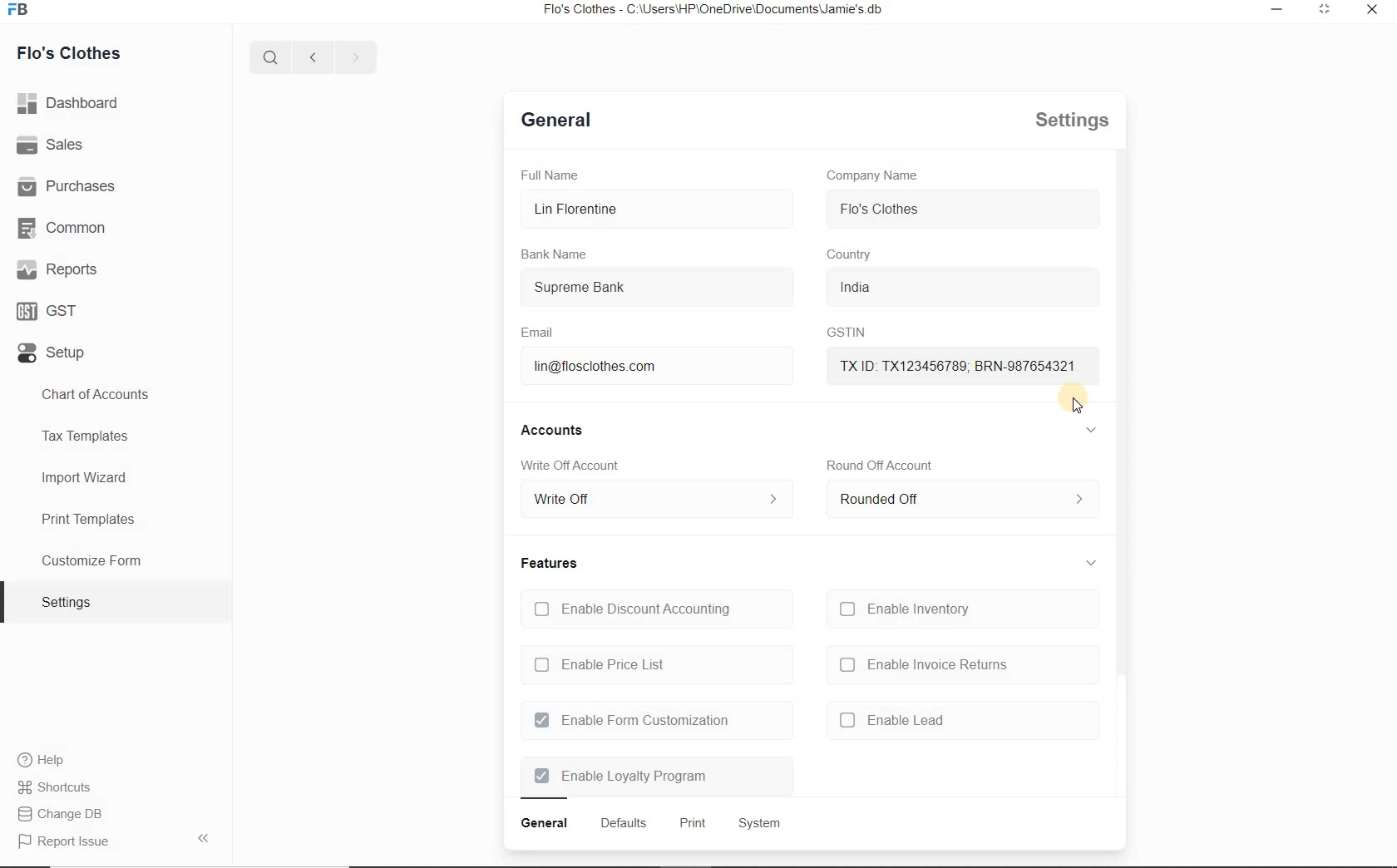  Describe the element at coordinates (1279, 12) in the screenshot. I see `restore` at that location.